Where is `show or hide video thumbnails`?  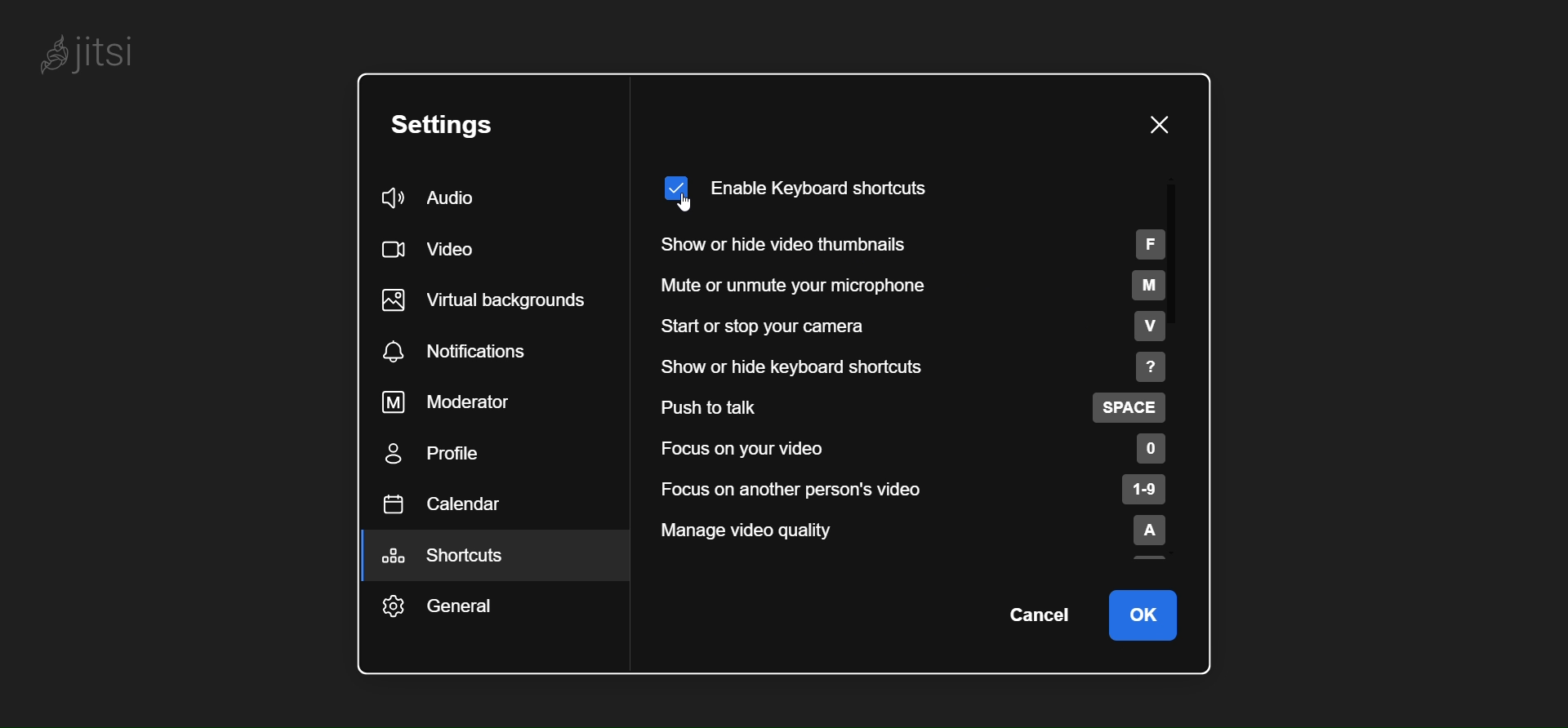 show or hide video thumbnails is located at coordinates (922, 242).